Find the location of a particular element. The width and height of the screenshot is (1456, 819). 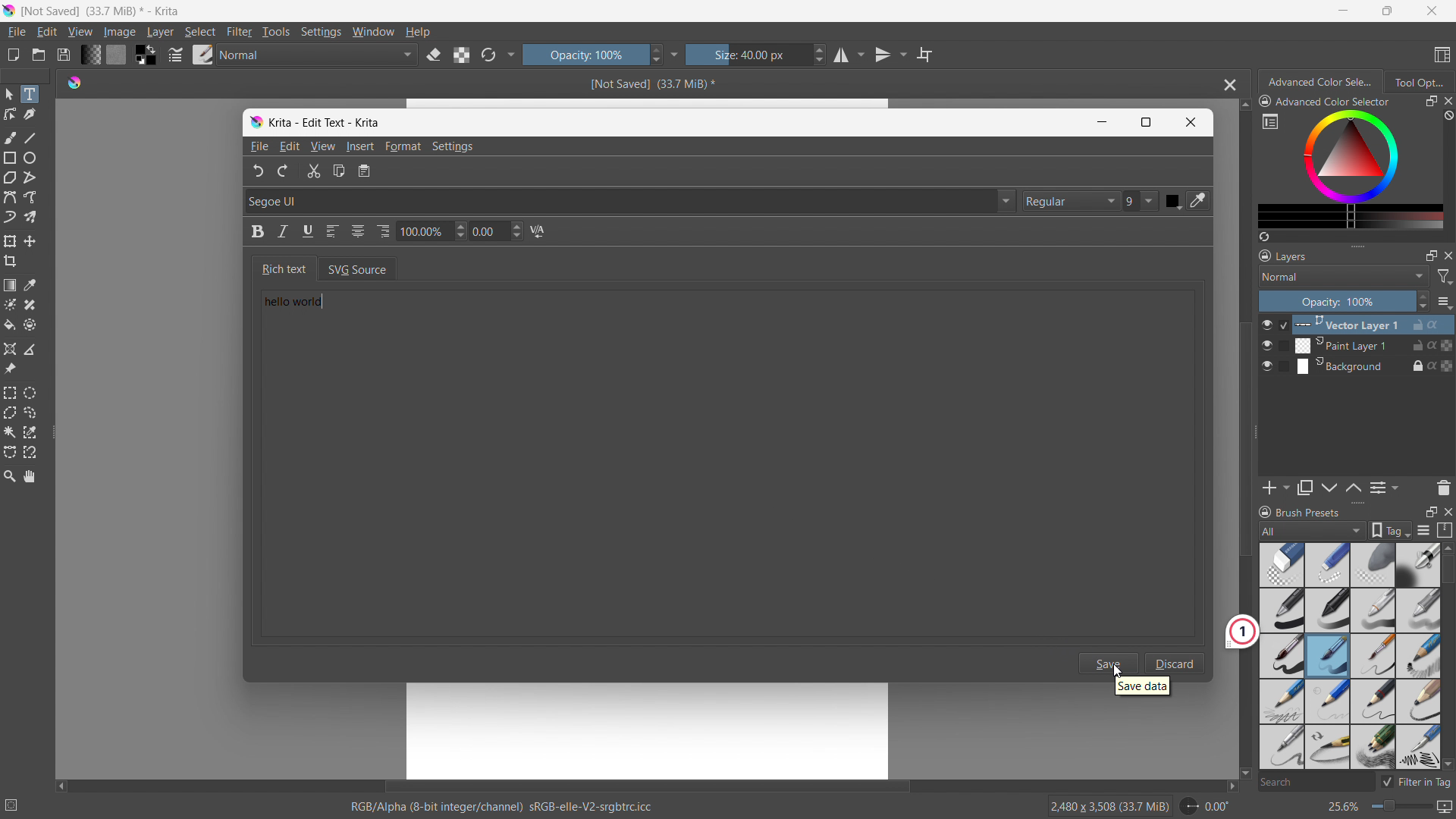

enclose and fill tool is located at coordinates (30, 325).